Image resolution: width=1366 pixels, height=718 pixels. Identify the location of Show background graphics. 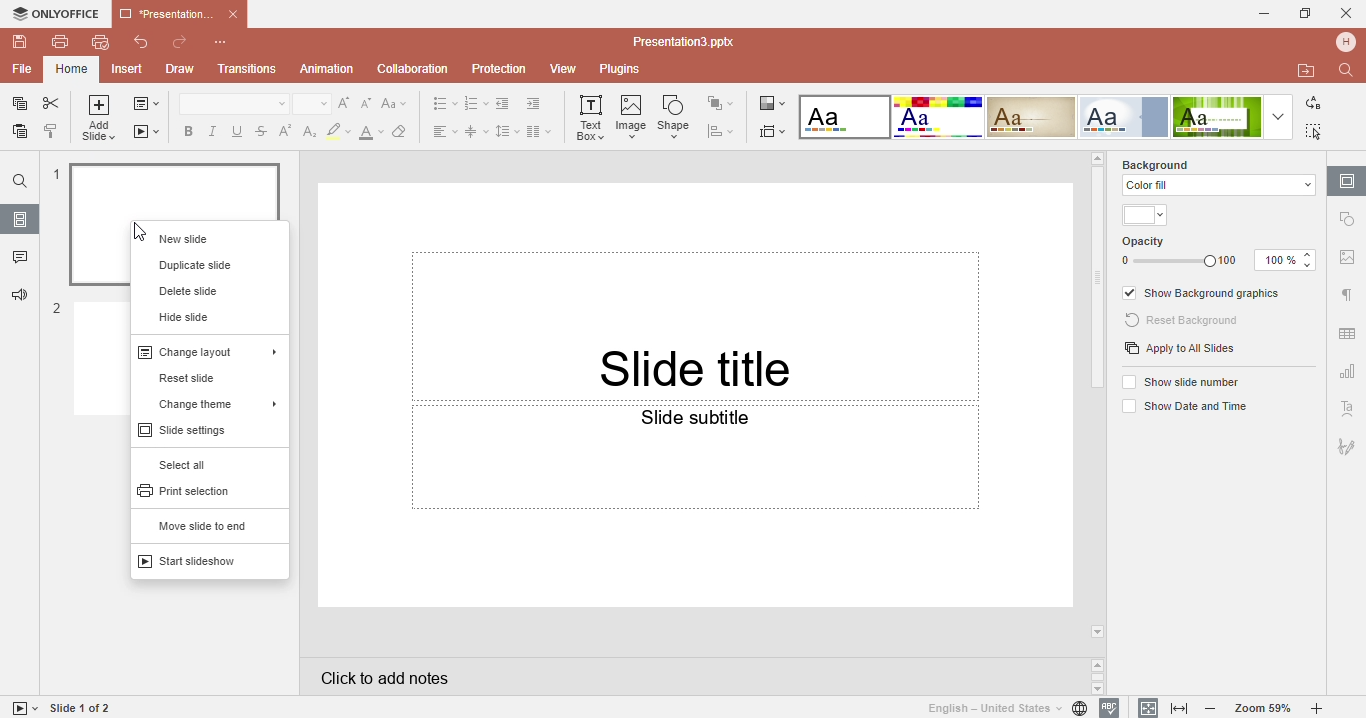
(1204, 294).